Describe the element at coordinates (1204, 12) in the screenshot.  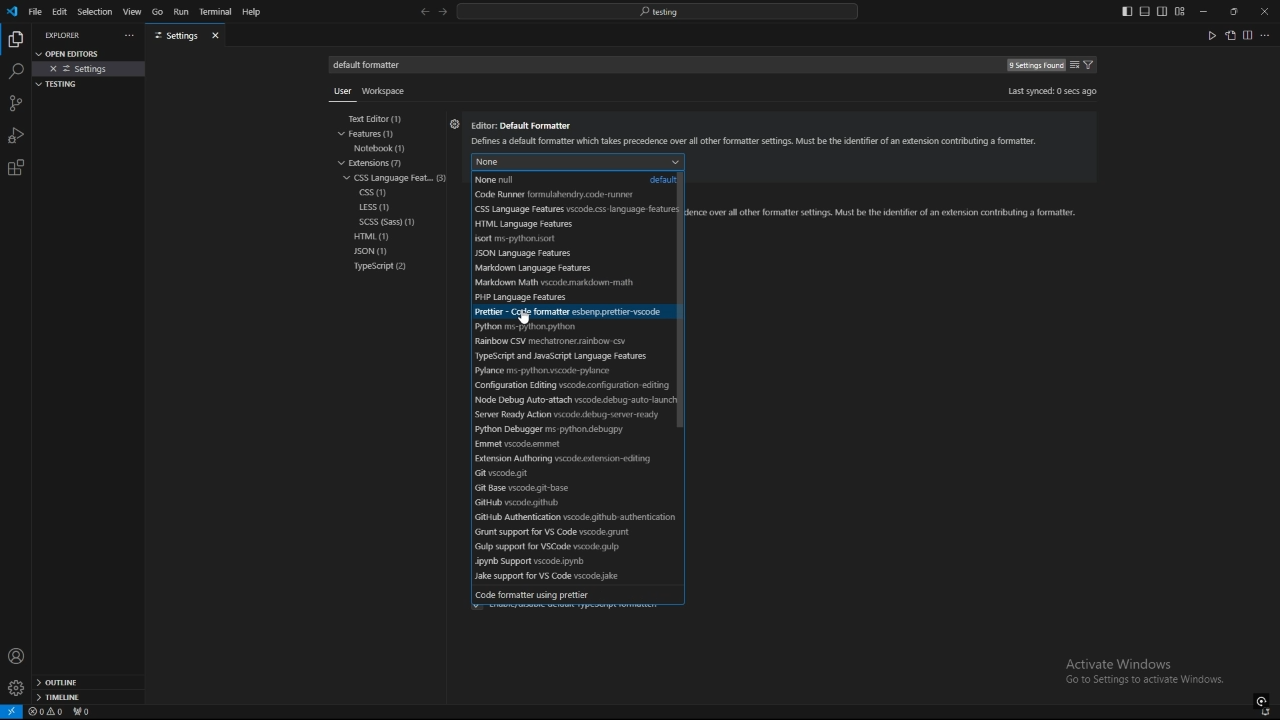
I see `minimize` at that location.